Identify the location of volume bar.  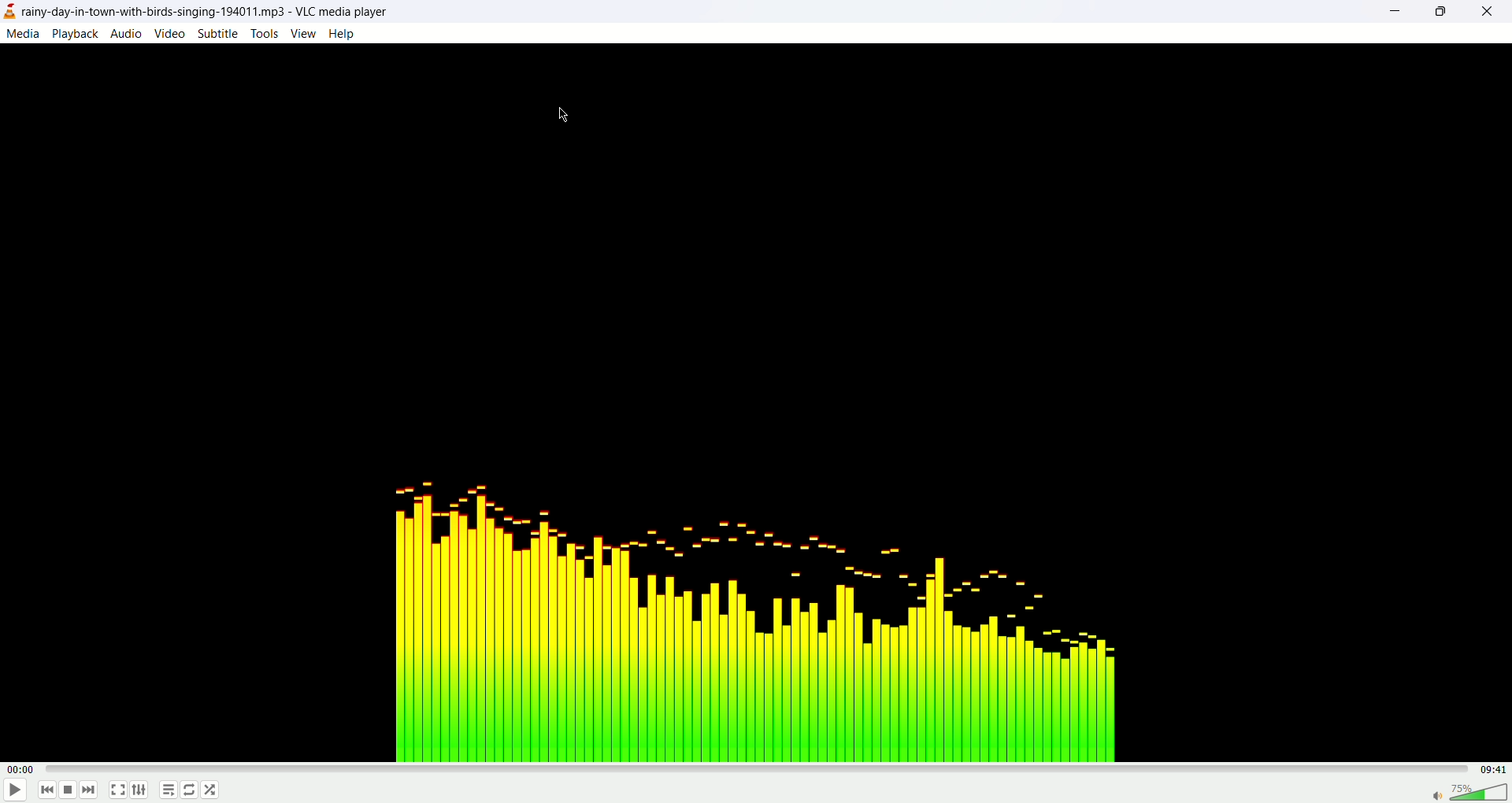
(1468, 790).